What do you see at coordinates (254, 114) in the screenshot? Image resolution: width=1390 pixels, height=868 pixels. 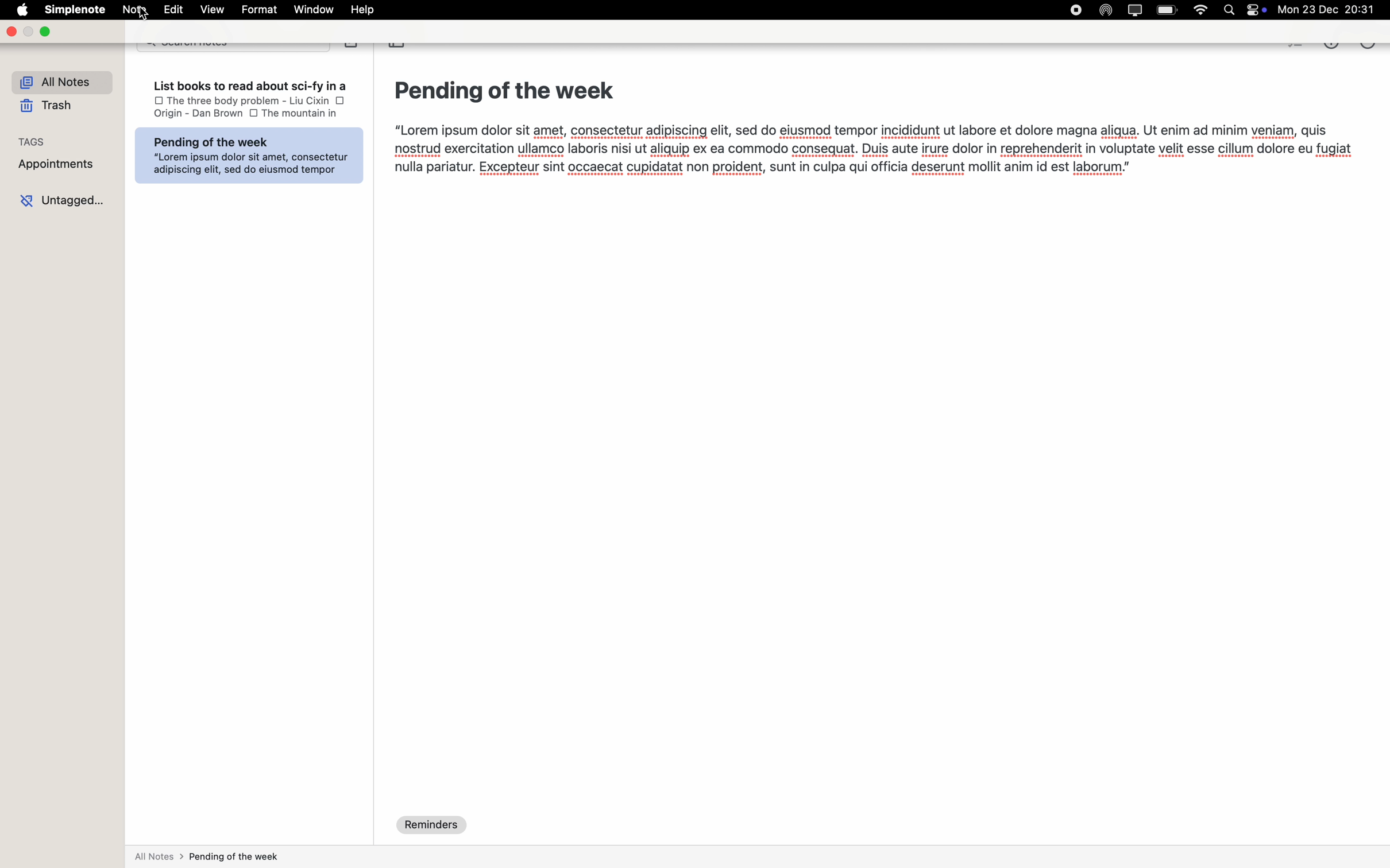 I see `checkbox` at bounding box center [254, 114].